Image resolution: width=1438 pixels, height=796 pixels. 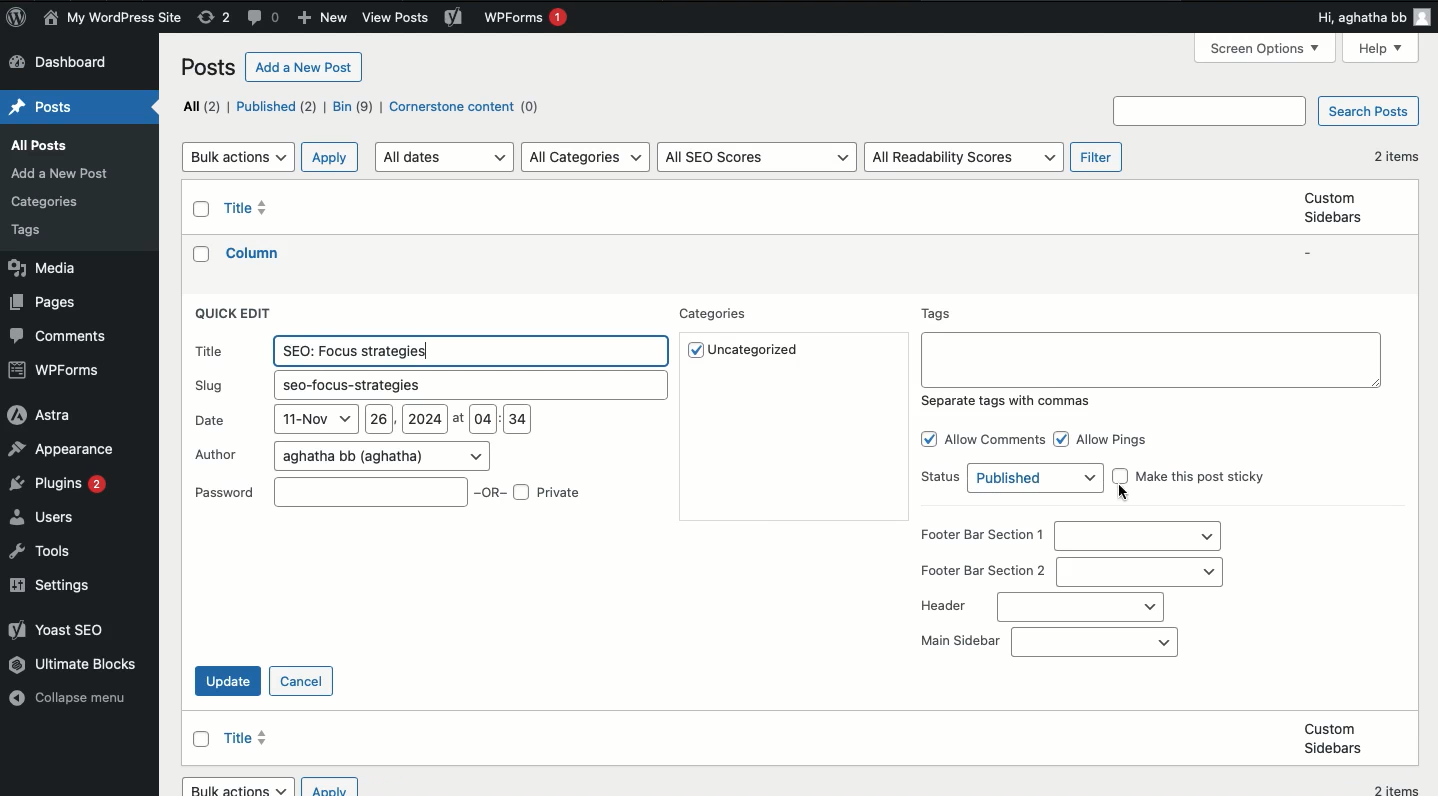 I want to click on New, so click(x=321, y=19).